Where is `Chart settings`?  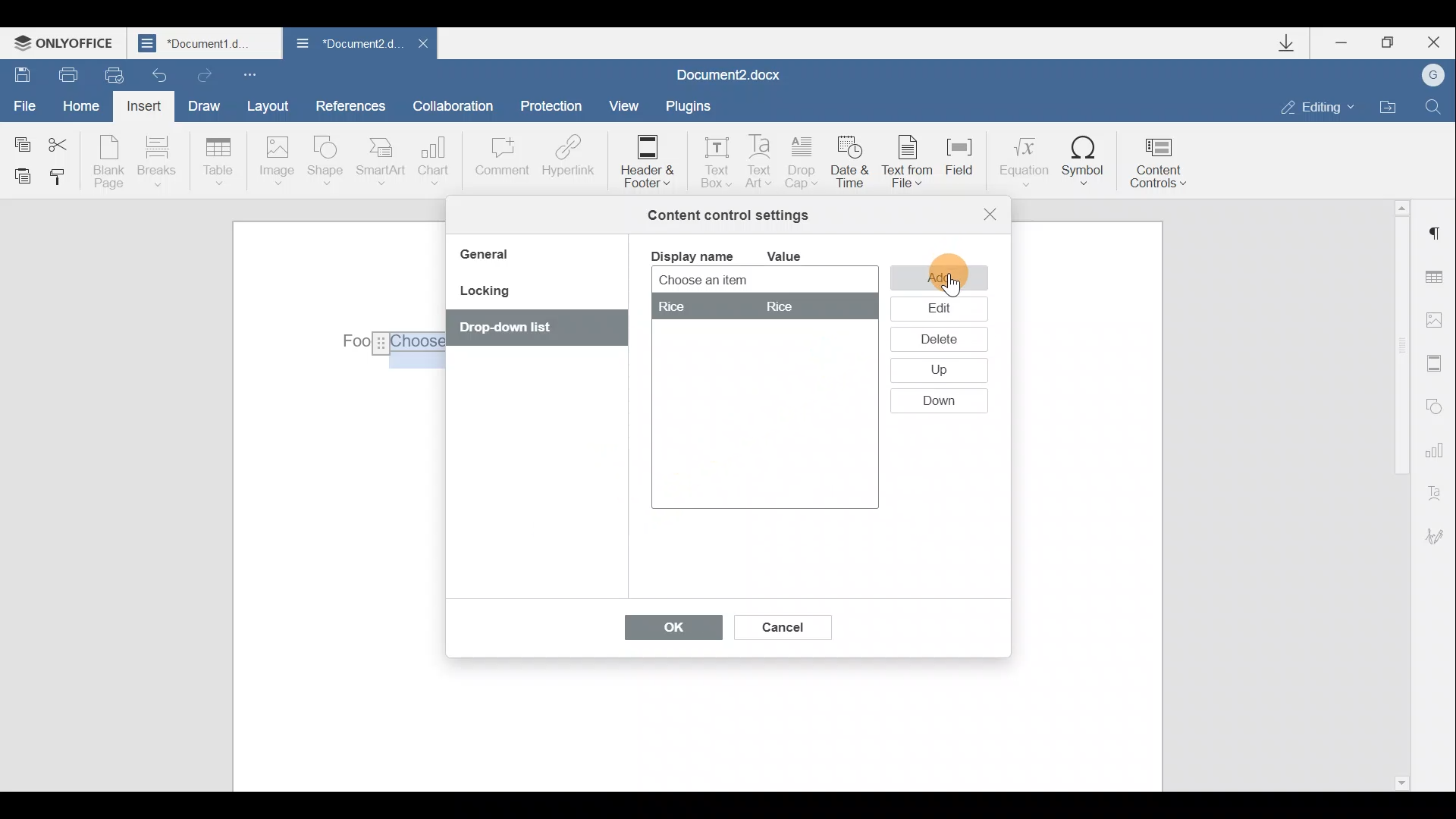 Chart settings is located at coordinates (1437, 448).